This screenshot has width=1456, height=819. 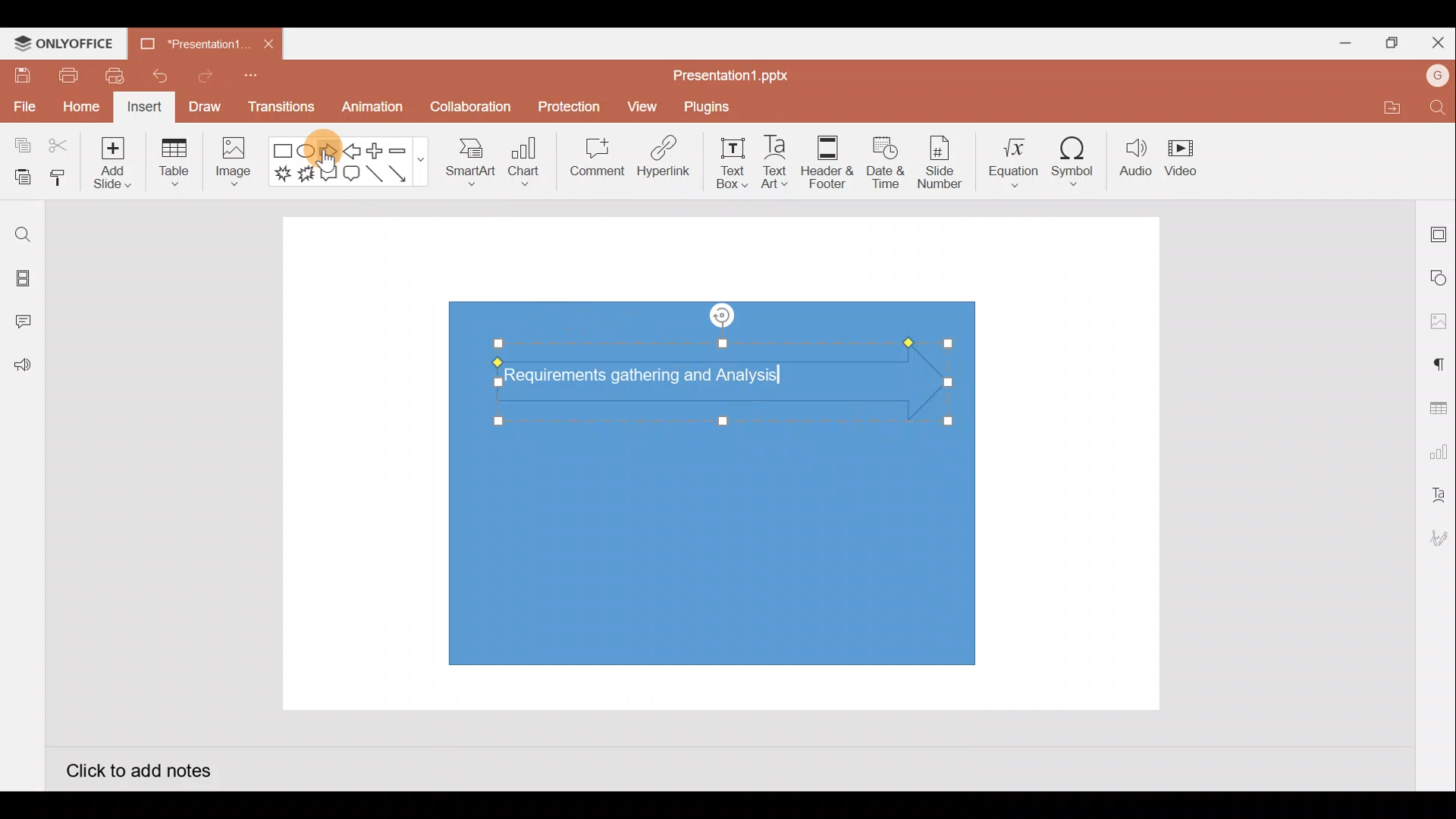 I want to click on Copy style, so click(x=59, y=180).